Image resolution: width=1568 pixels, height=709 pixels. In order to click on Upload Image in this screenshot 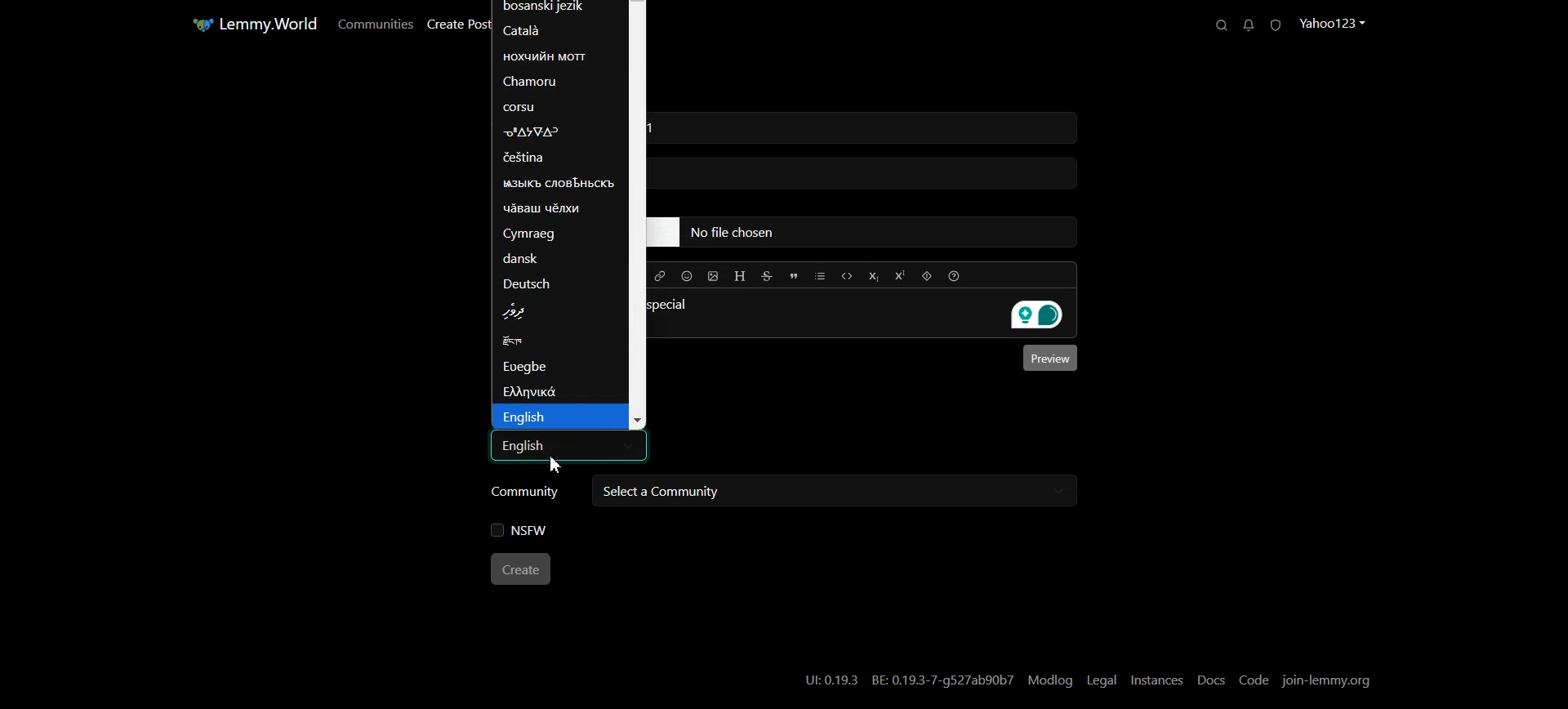, I will do `click(714, 276)`.